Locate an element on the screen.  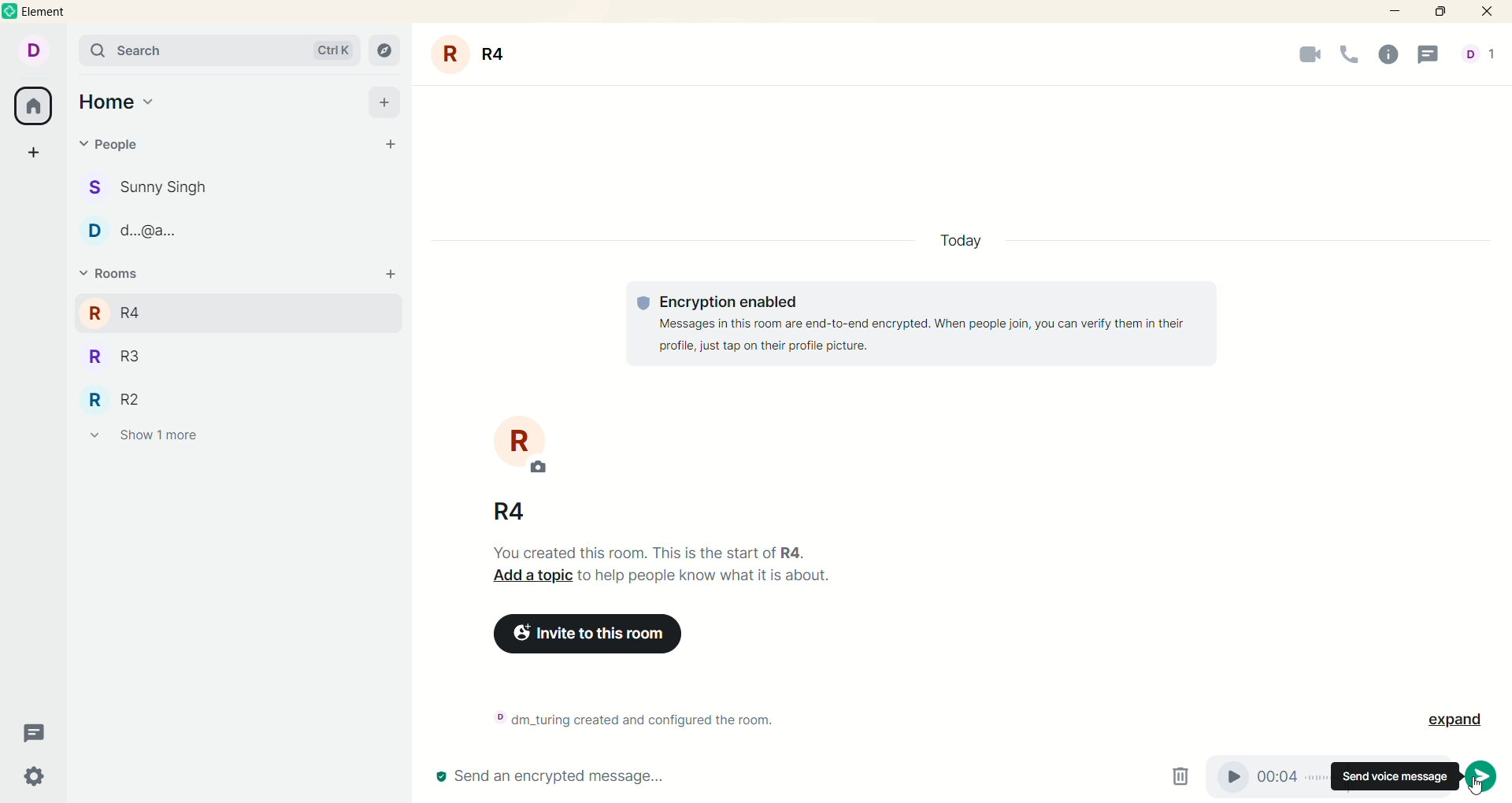
send voice message is located at coordinates (1395, 779).